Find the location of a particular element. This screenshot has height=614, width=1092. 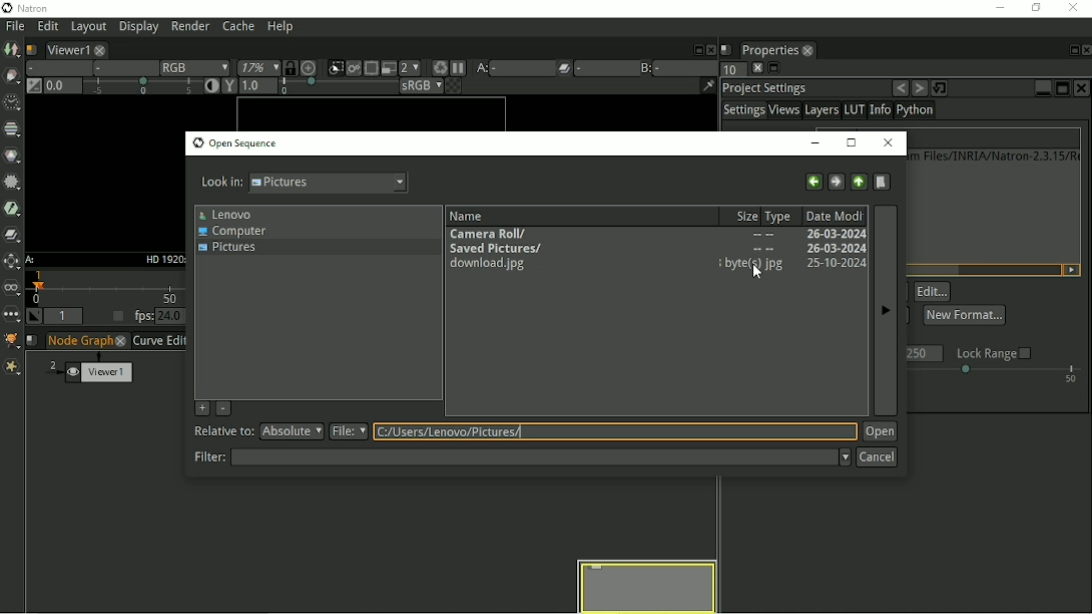

HD is located at coordinates (162, 258).